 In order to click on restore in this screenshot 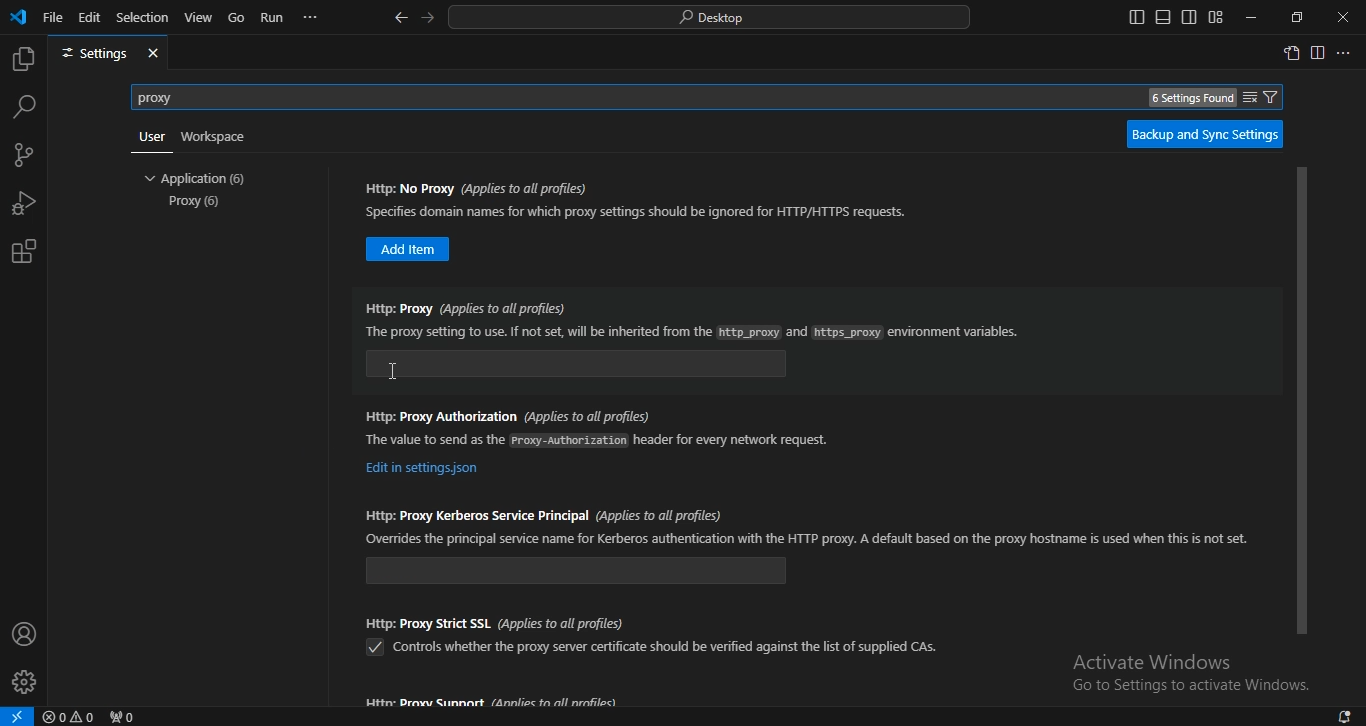, I will do `click(1298, 17)`.